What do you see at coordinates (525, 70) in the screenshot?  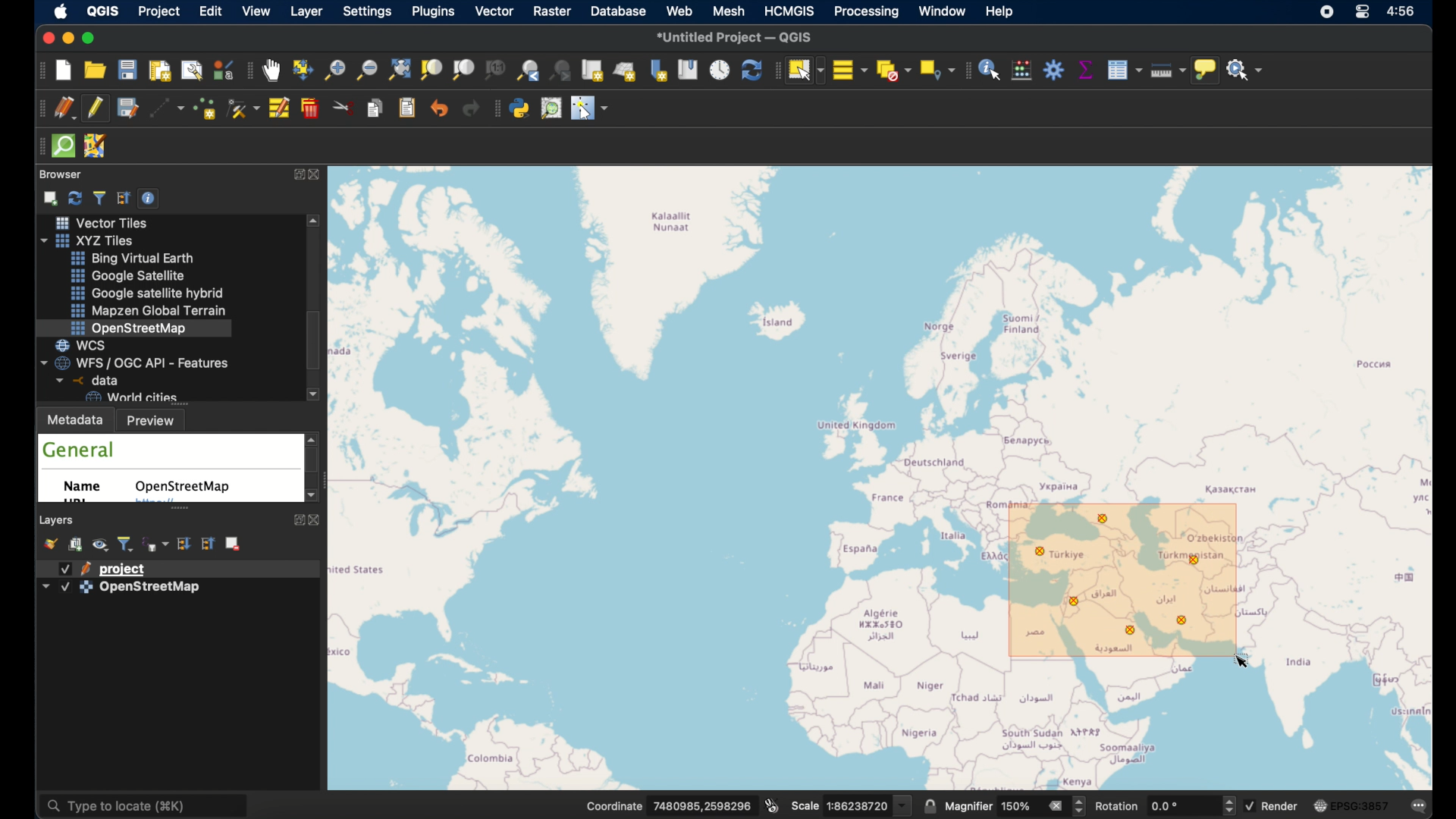 I see `zoom last` at bounding box center [525, 70].